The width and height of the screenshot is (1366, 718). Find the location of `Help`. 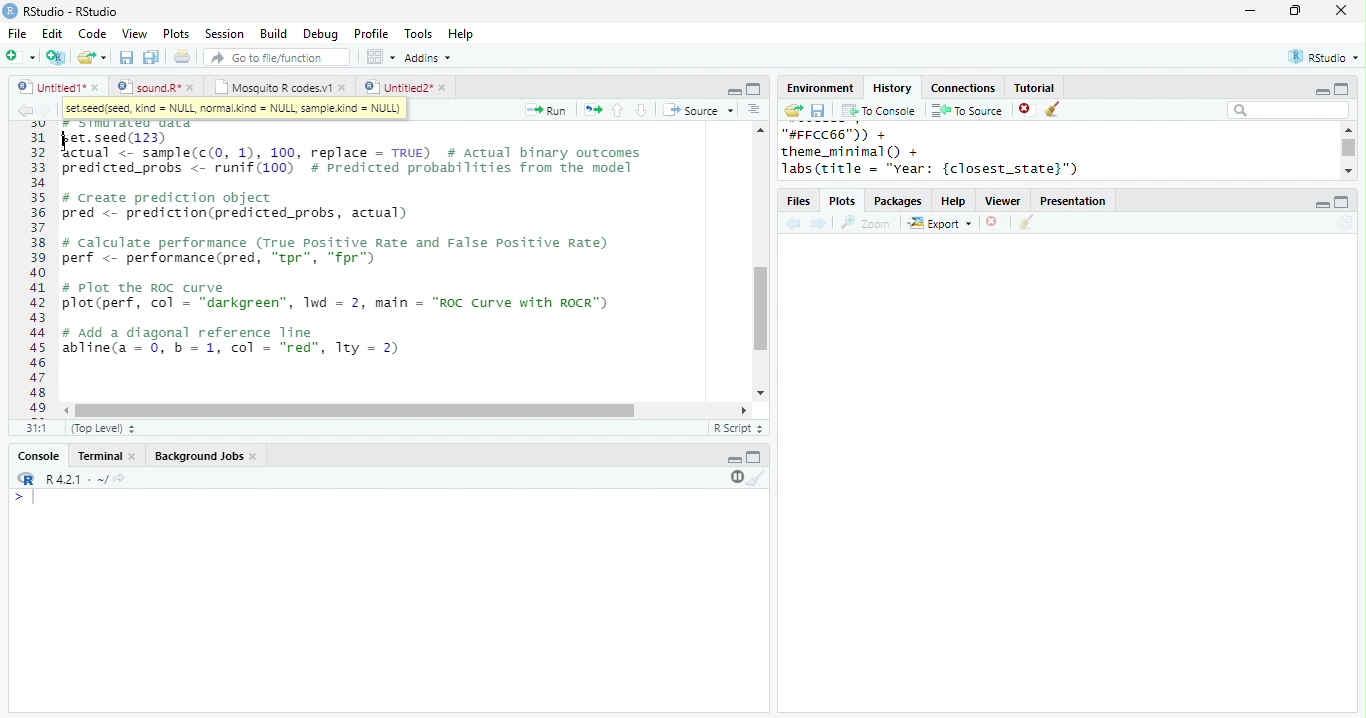

Help is located at coordinates (461, 35).